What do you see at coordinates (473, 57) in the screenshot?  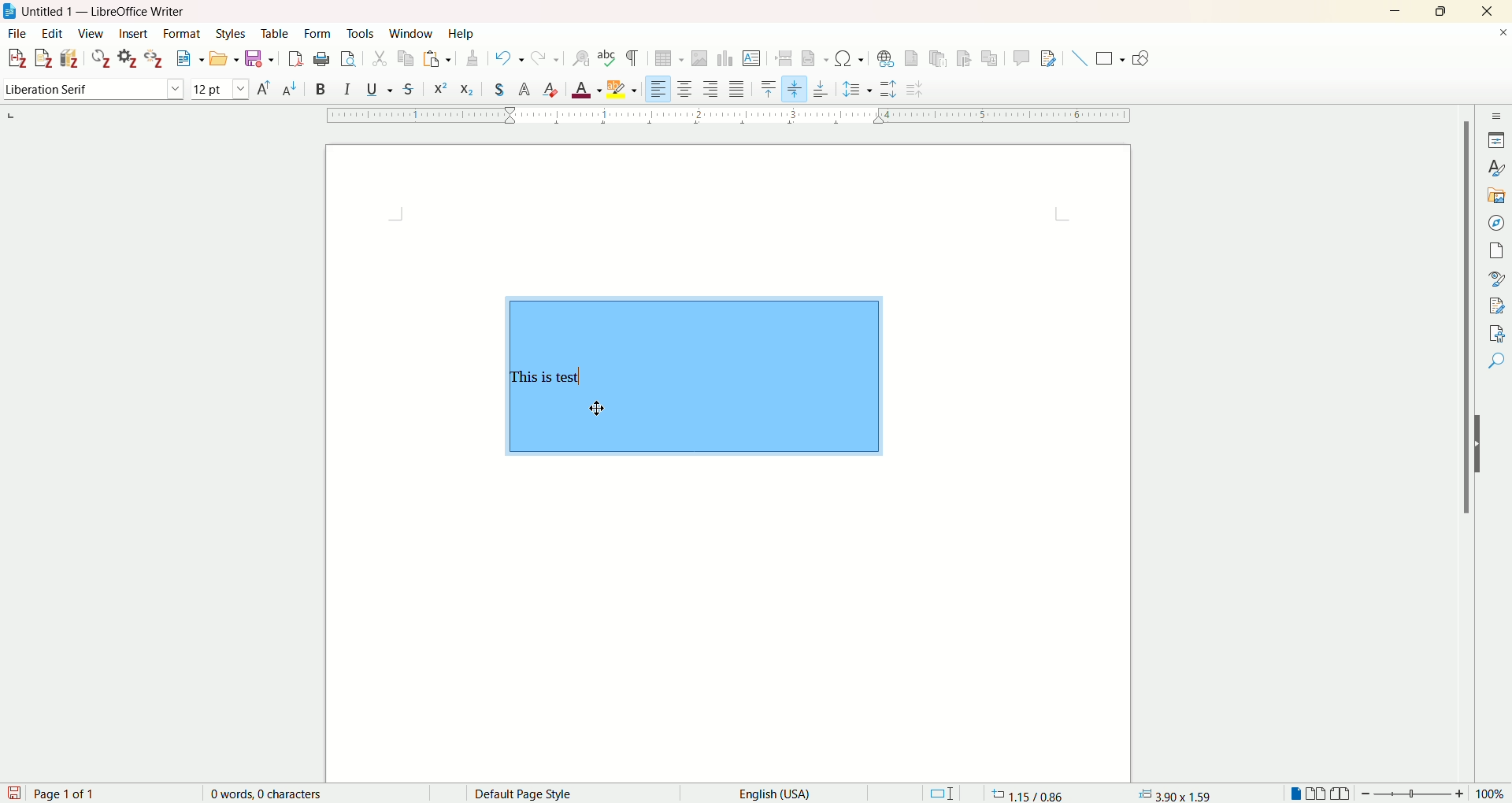 I see `clone formatting` at bounding box center [473, 57].